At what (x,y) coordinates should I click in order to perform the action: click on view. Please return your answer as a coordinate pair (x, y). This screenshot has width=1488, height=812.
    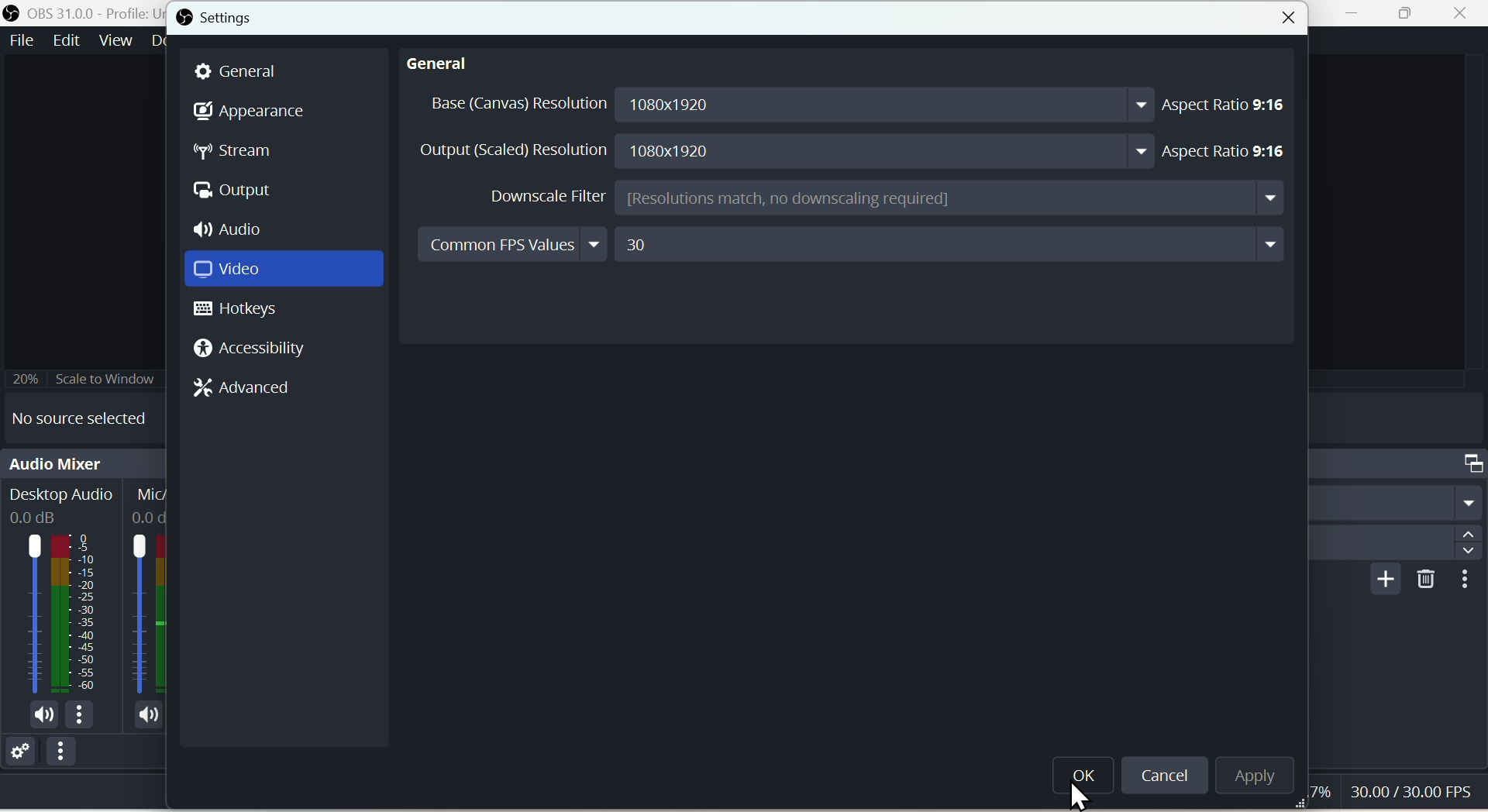
    Looking at the image, I should click on (115, 40).